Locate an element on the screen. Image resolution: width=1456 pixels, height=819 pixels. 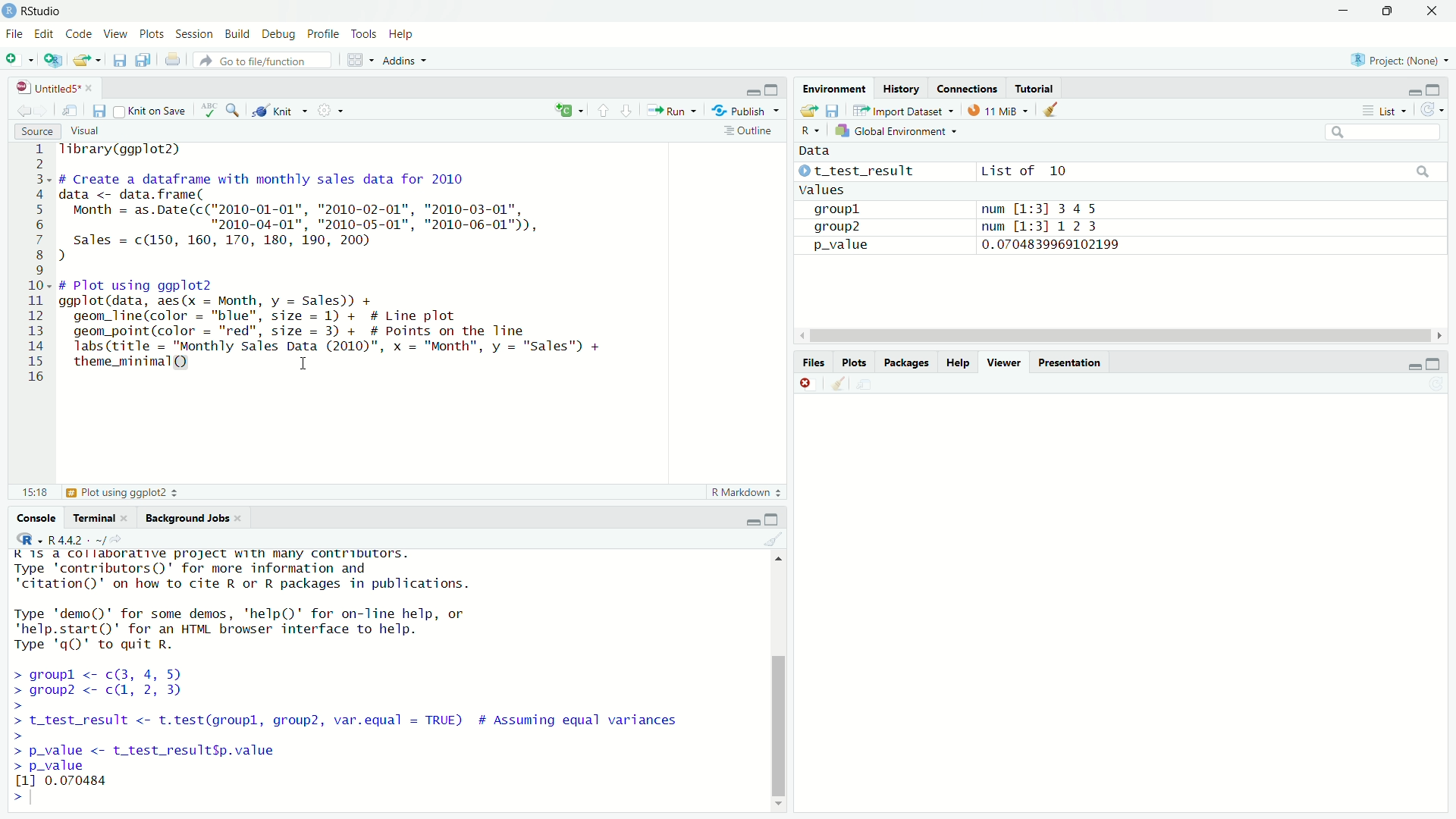
save workspace as is located at coordinates (833, 111).